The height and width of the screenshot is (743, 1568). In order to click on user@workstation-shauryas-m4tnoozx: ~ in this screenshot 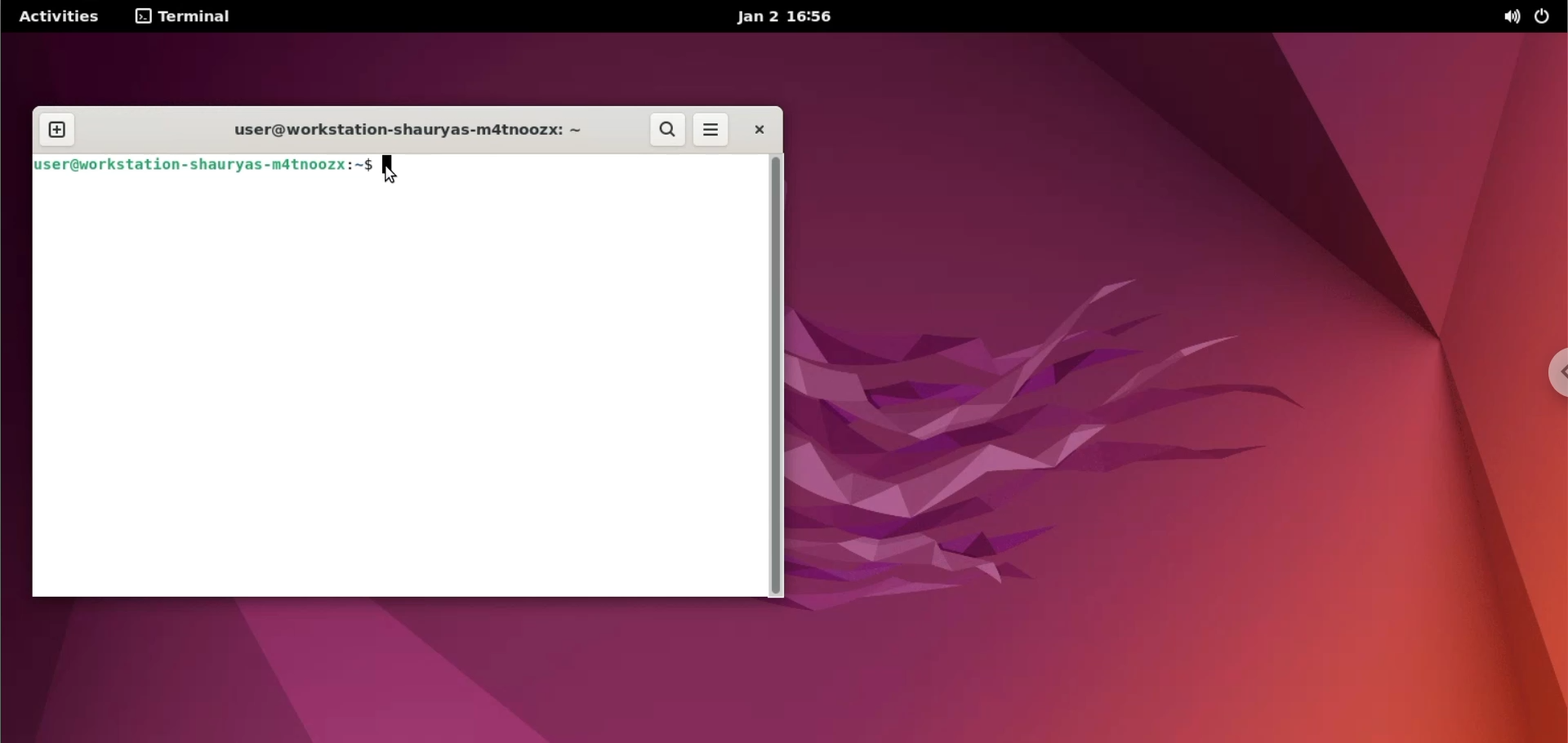, I will do `click(408, 131)`.